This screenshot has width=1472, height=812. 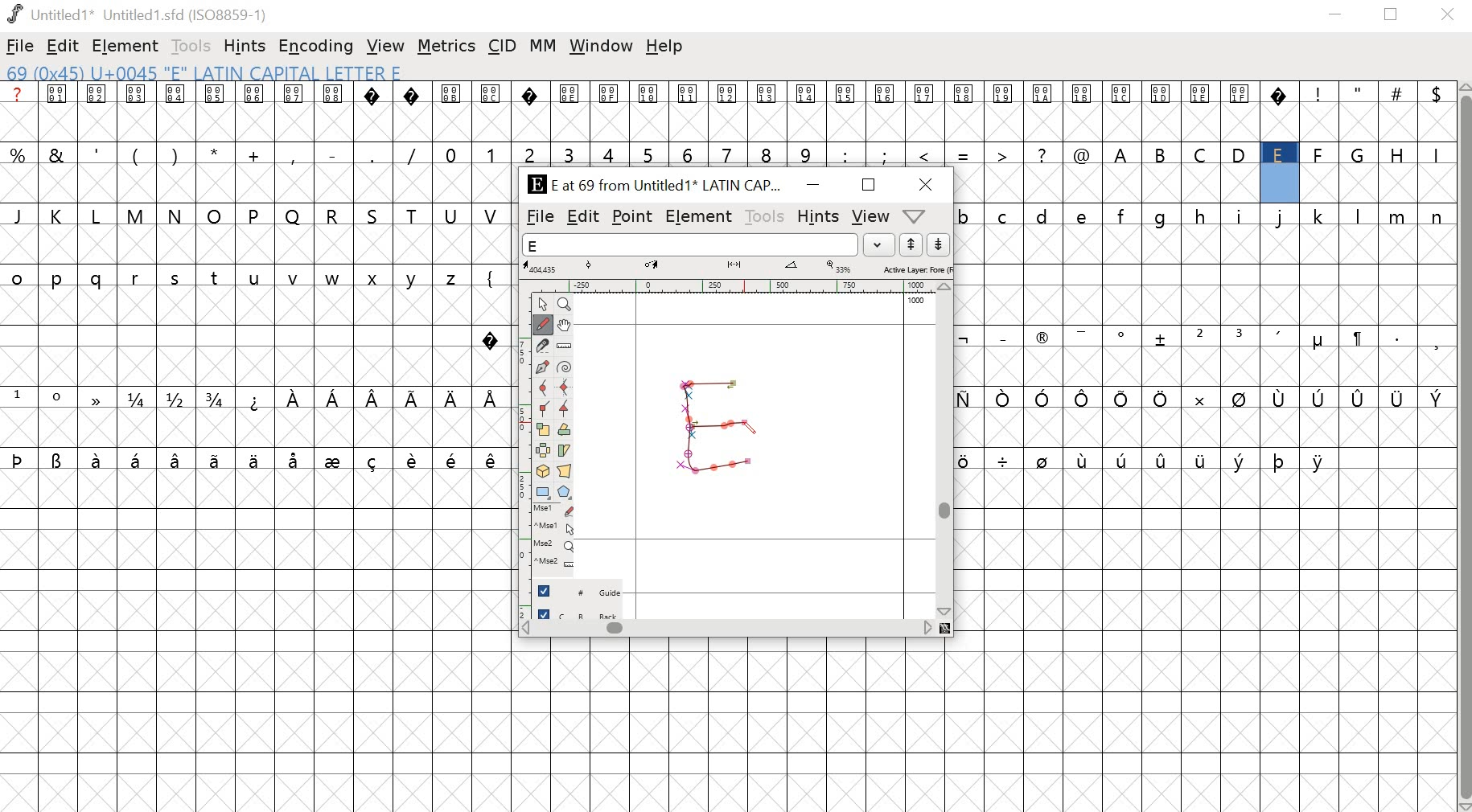 What do you see at coordinates (122, 45) in the screenshot?
I see `element` at bounding box center [122, 45].